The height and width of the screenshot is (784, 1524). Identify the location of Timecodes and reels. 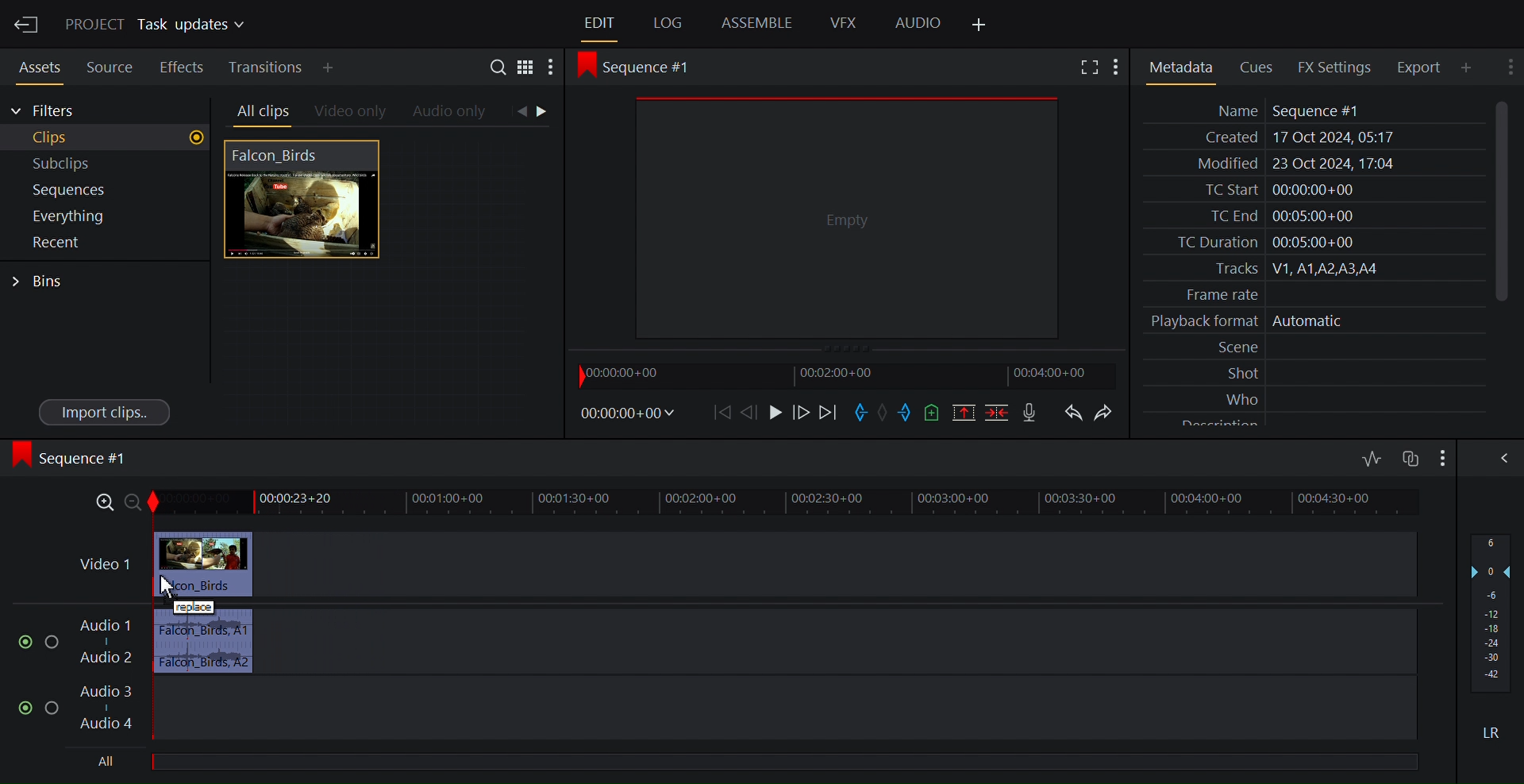
(631, 413).